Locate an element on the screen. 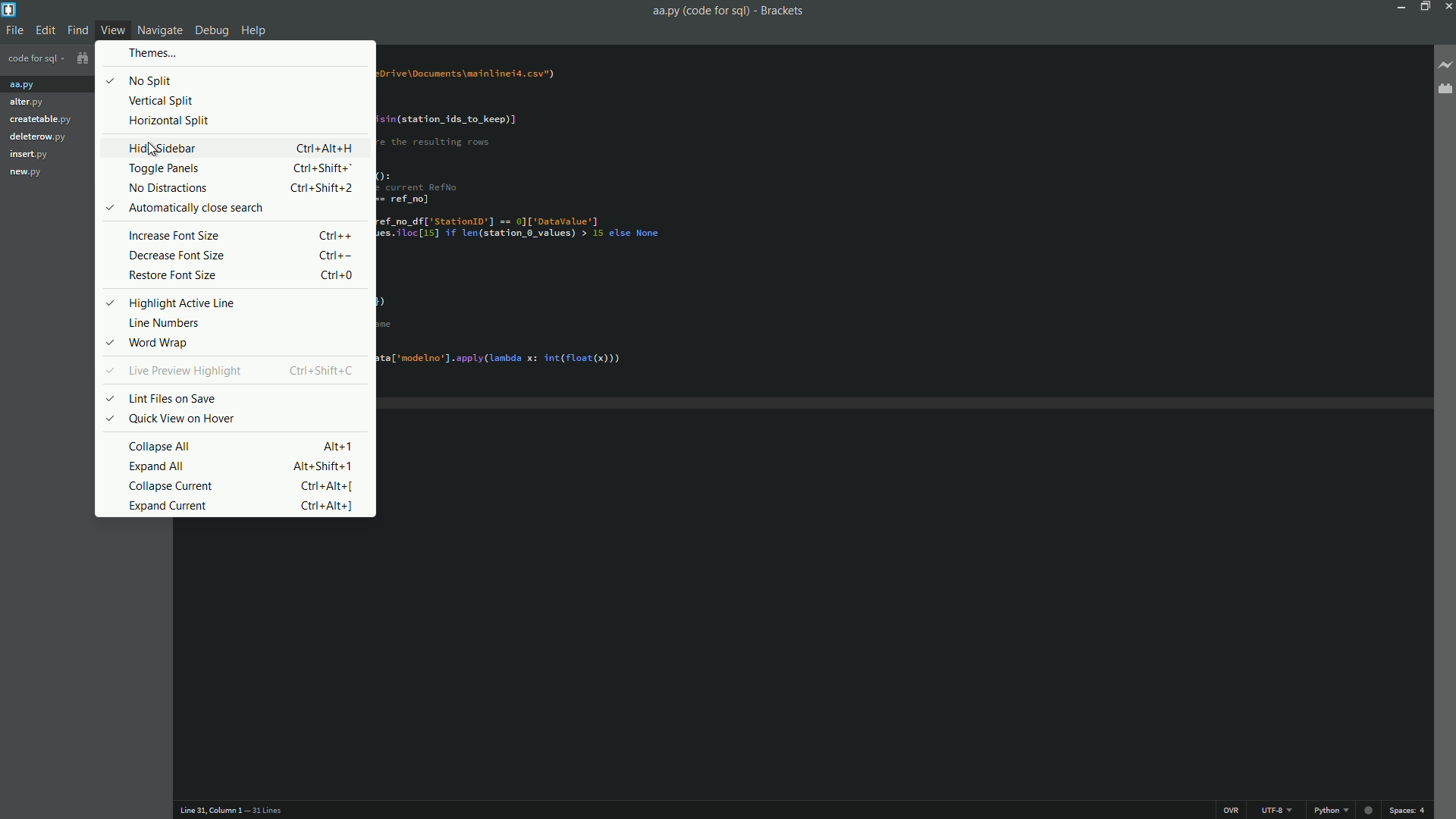  insert.py is located at coordinates (33, 155).